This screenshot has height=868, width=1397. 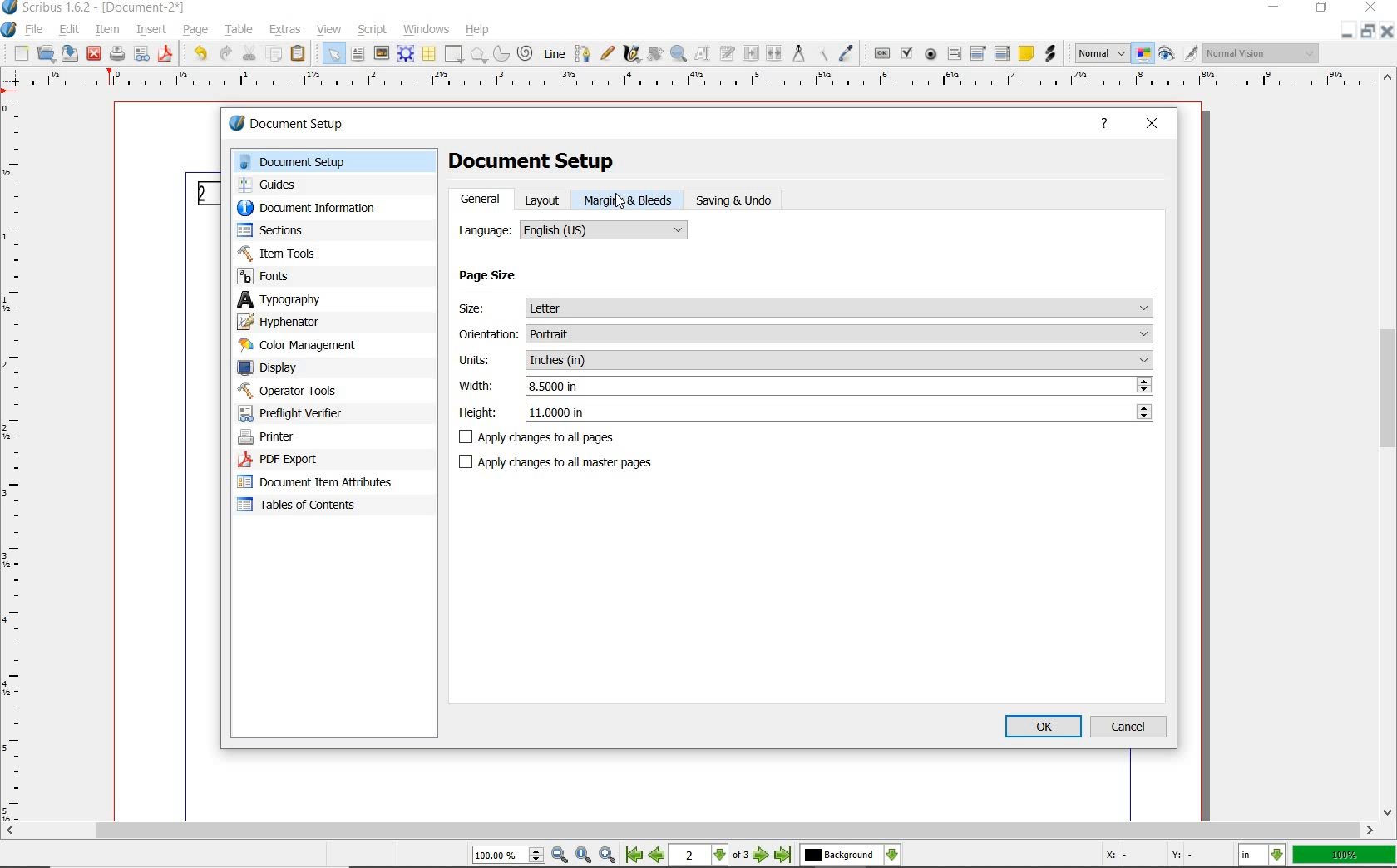 I want to click on script, so click(x=374, y=29).